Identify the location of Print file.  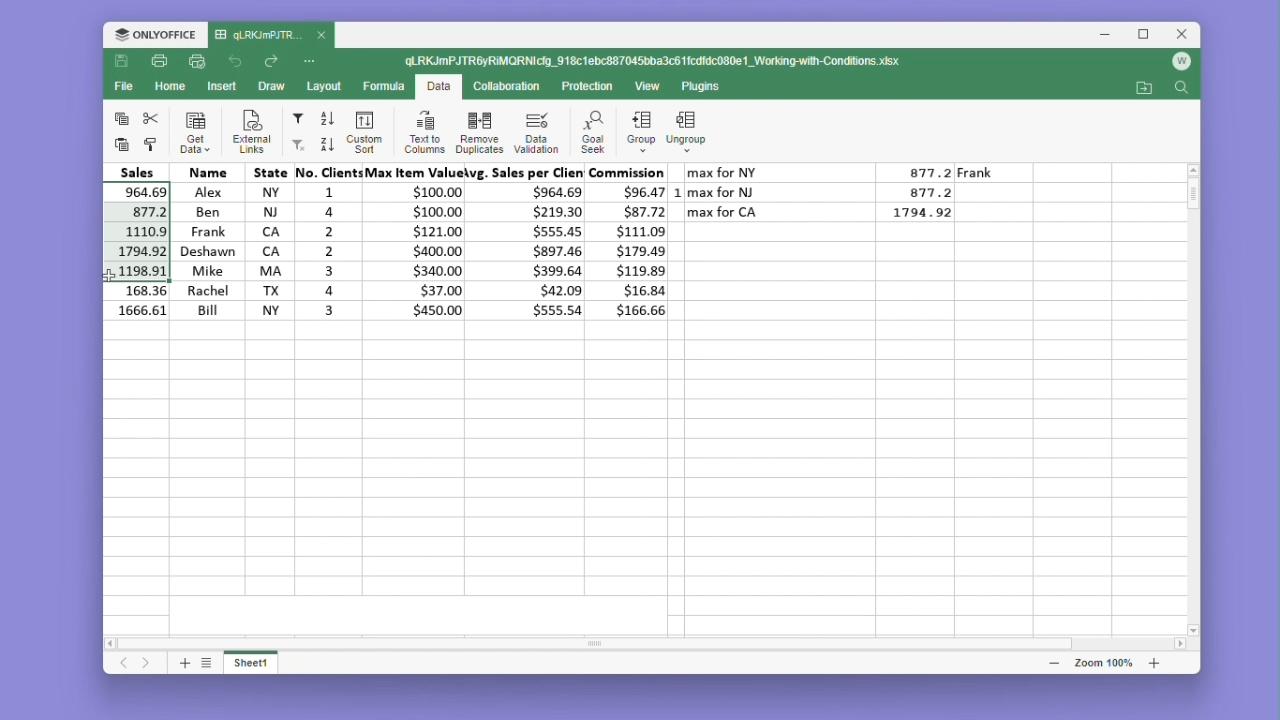
(158, 63).